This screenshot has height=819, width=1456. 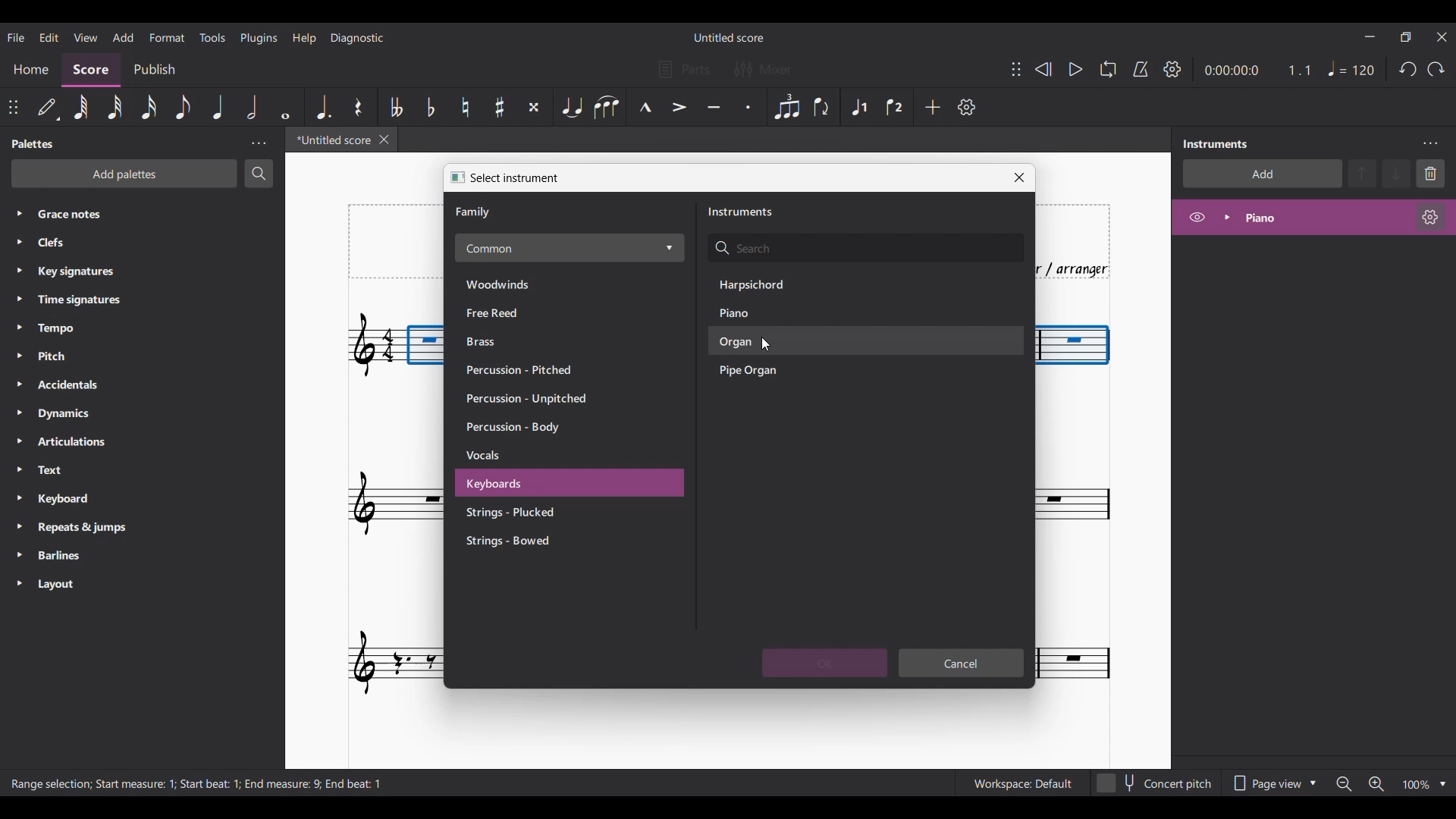 What do you see at coordinates (34, 144) in the screenshot?
I see `Palette title` at bounding box center [34, 144].